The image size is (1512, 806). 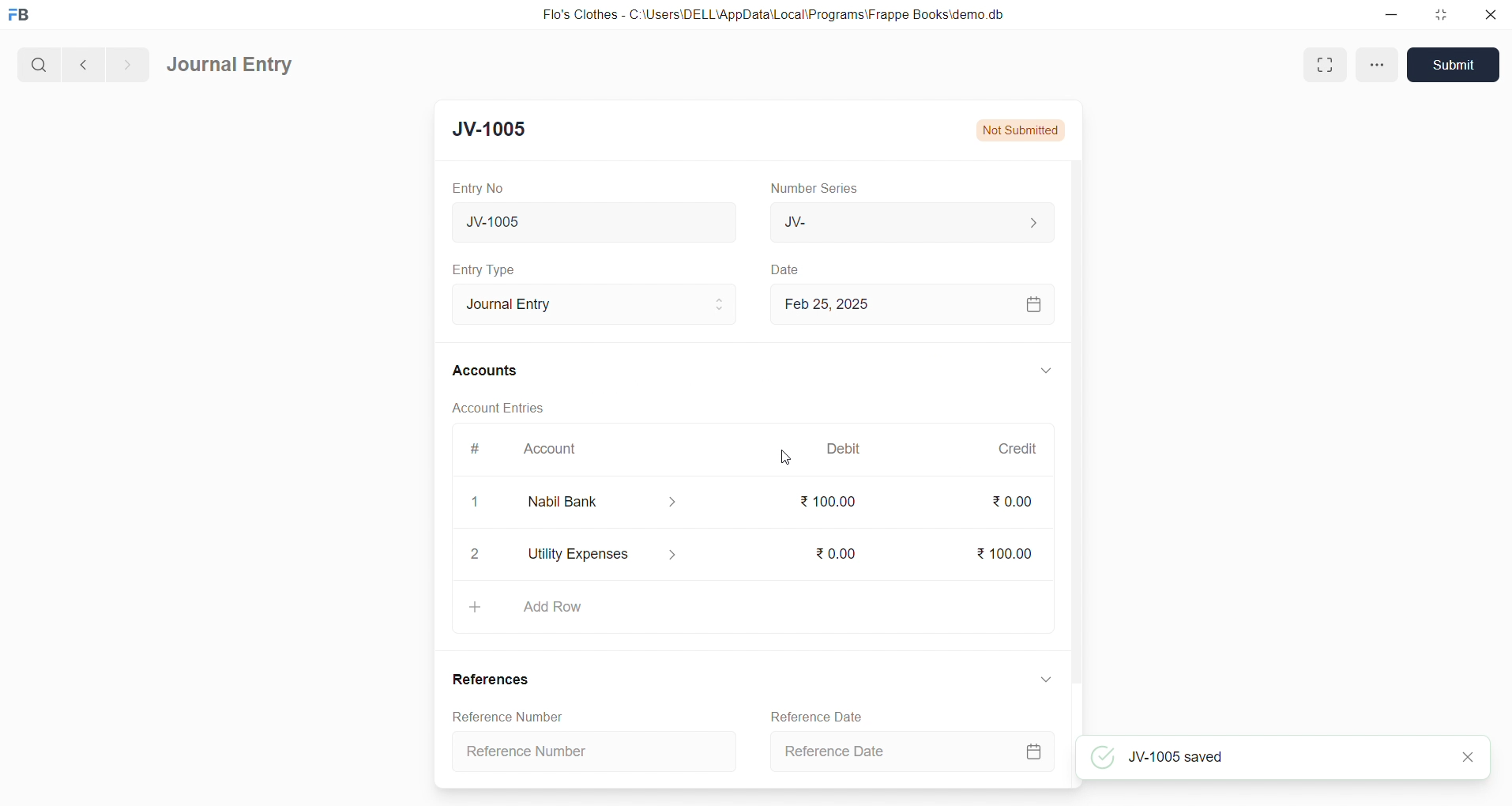 I want to click on resize, so click(x=1439, y=14).